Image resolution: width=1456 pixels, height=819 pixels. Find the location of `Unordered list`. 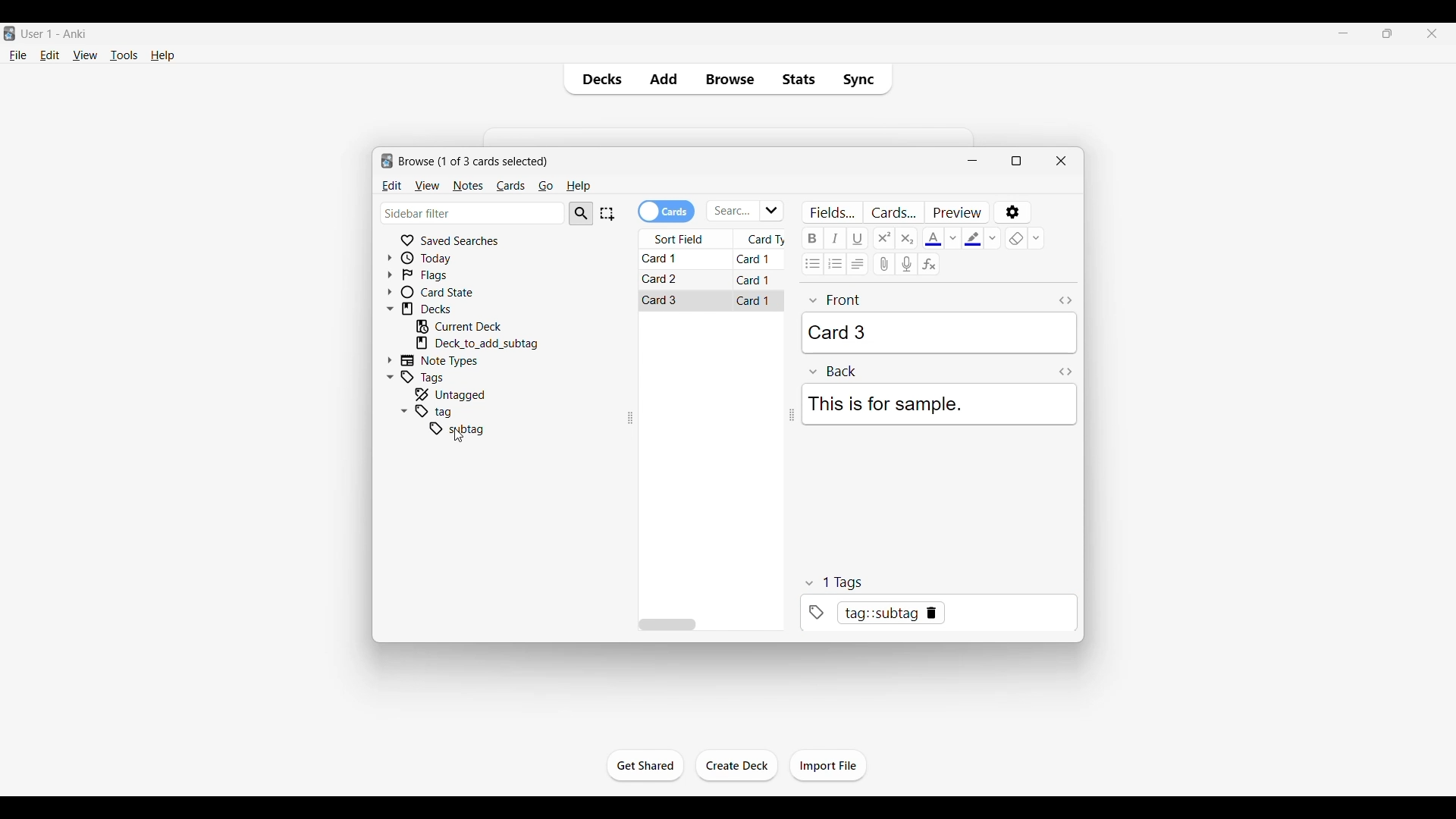

Unordered list is located at coordinates (812, 264).